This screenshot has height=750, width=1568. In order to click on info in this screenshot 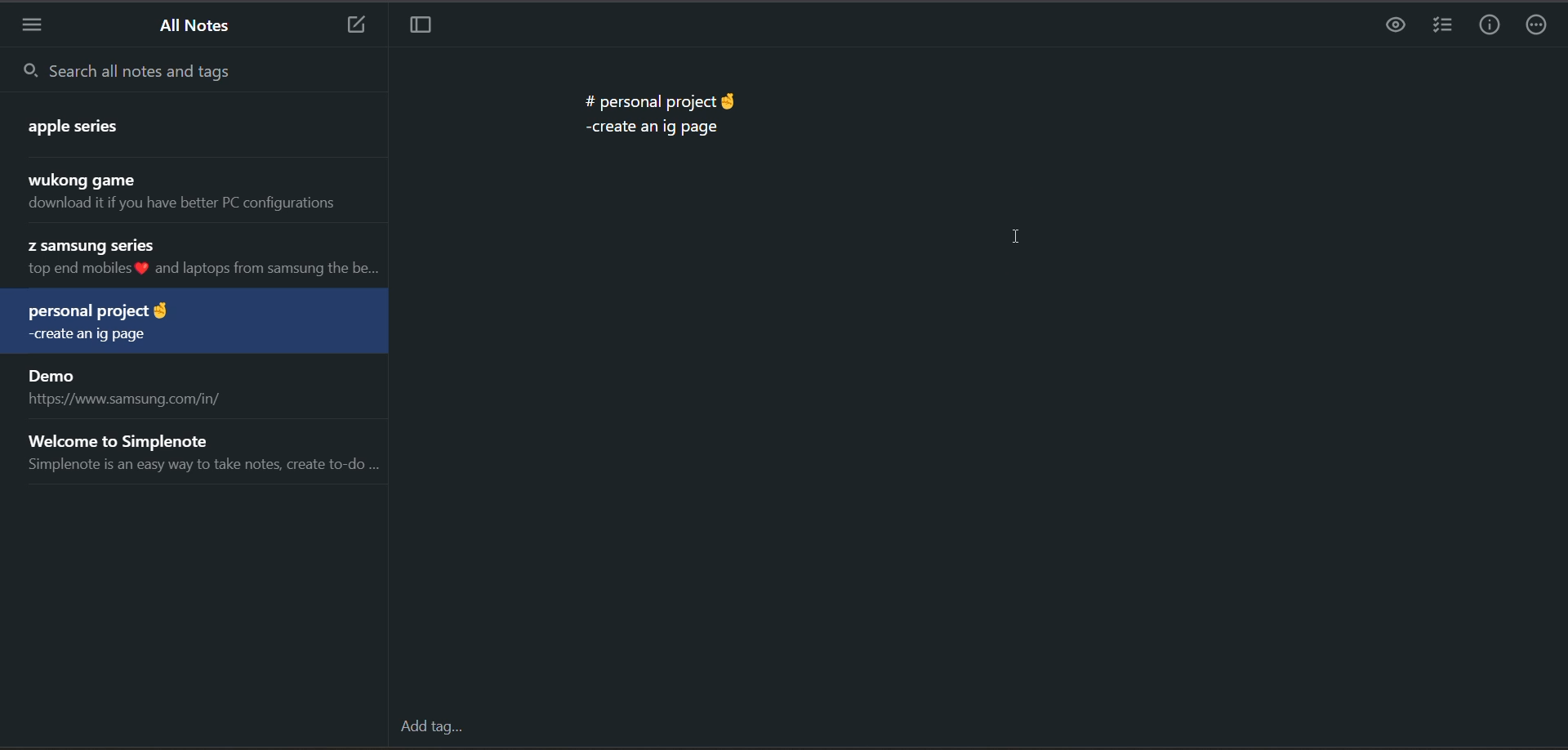, I will do `click(1492, 28)`.